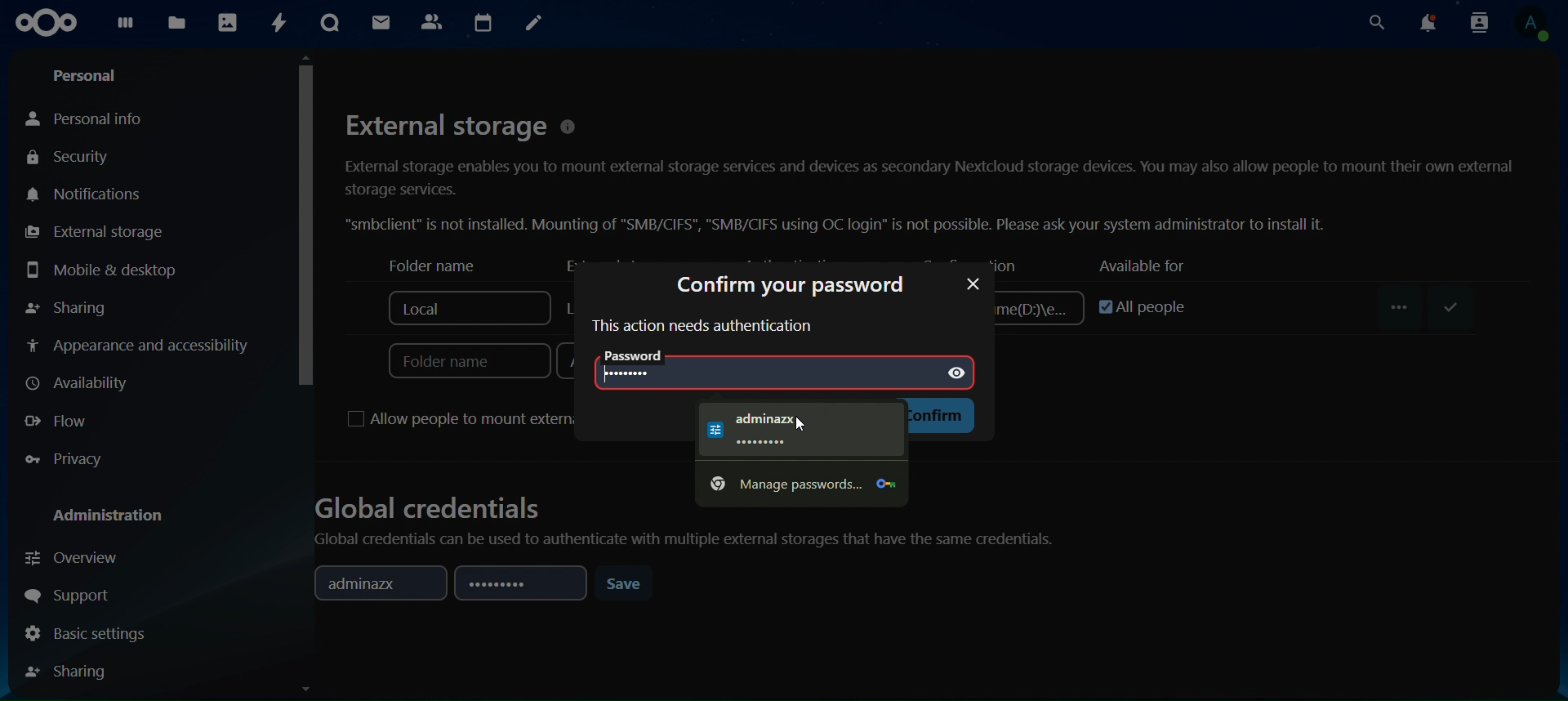 This screenshot has width=1568, height=701. I want to click on folder name, so click(423, 266).